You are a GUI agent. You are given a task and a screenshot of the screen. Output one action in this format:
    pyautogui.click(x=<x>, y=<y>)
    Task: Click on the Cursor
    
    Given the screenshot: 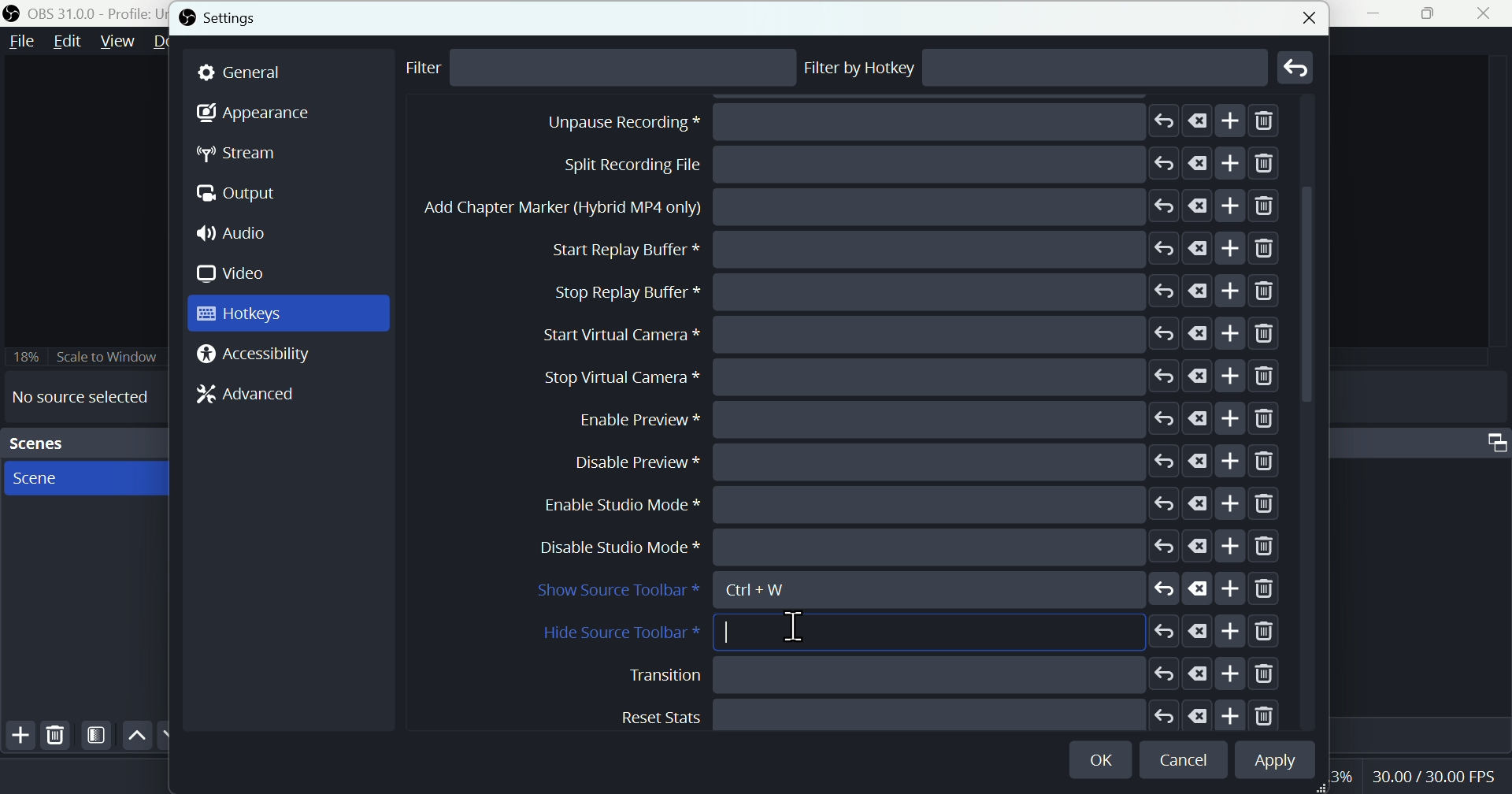 What is the action you would take?
    pyautogui.click(x=794, y=629)
    